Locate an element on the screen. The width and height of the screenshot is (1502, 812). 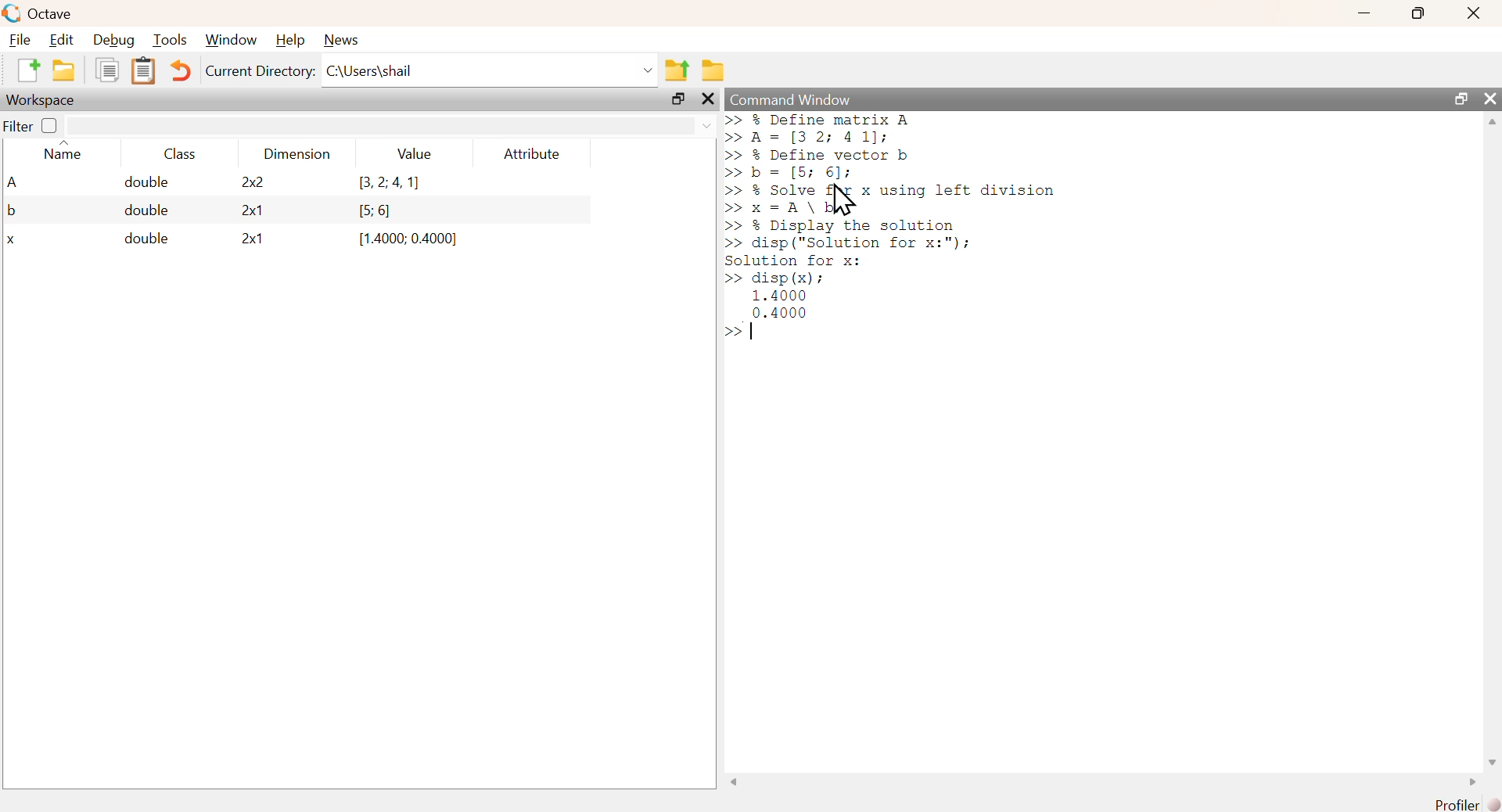
value is located at coordinates (414, 154).